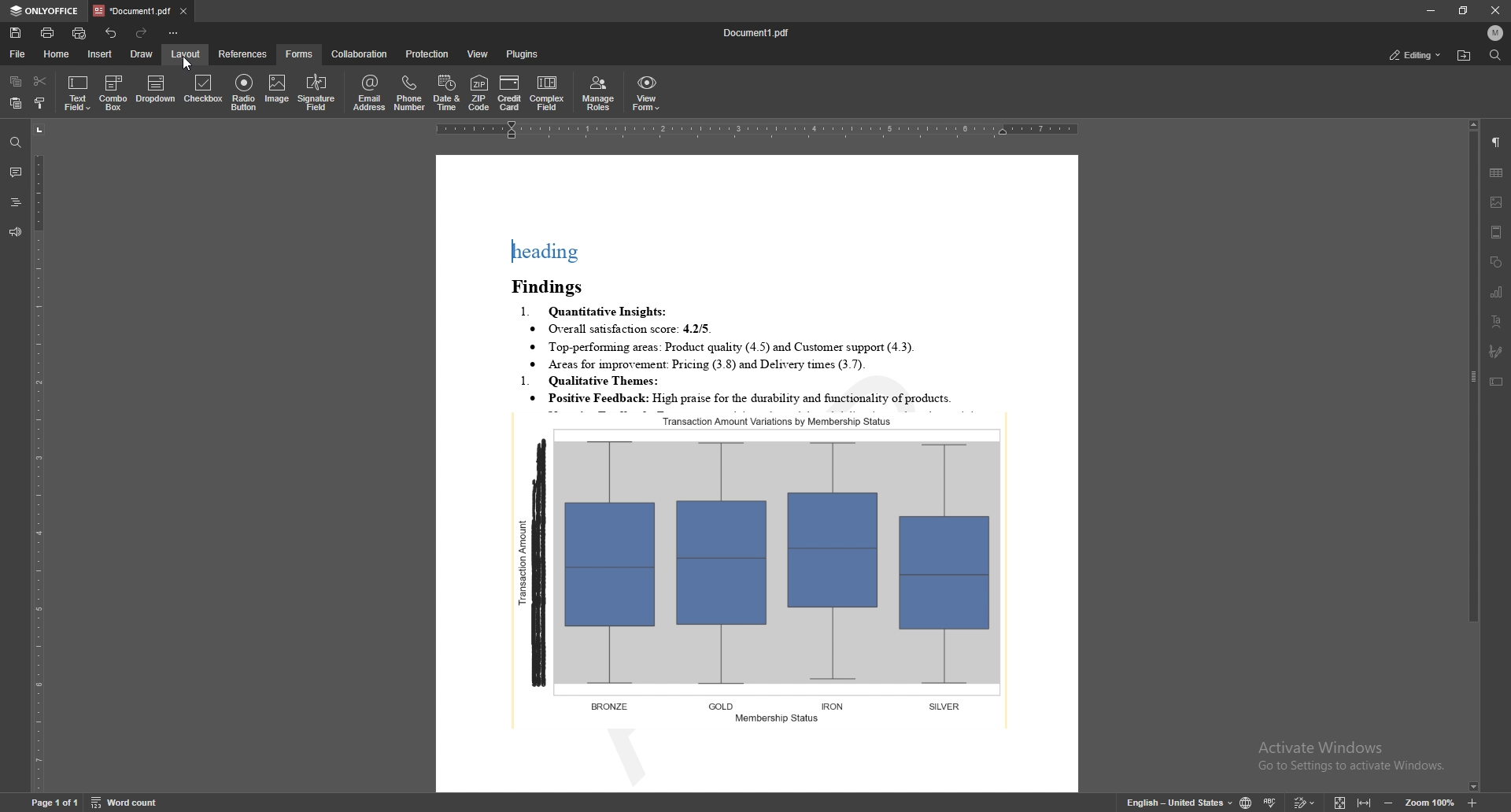 This screenshot has height=812, width=1511. Describe the element at coordinates (142, 54) in the screenshot. I see `draw` at that location.